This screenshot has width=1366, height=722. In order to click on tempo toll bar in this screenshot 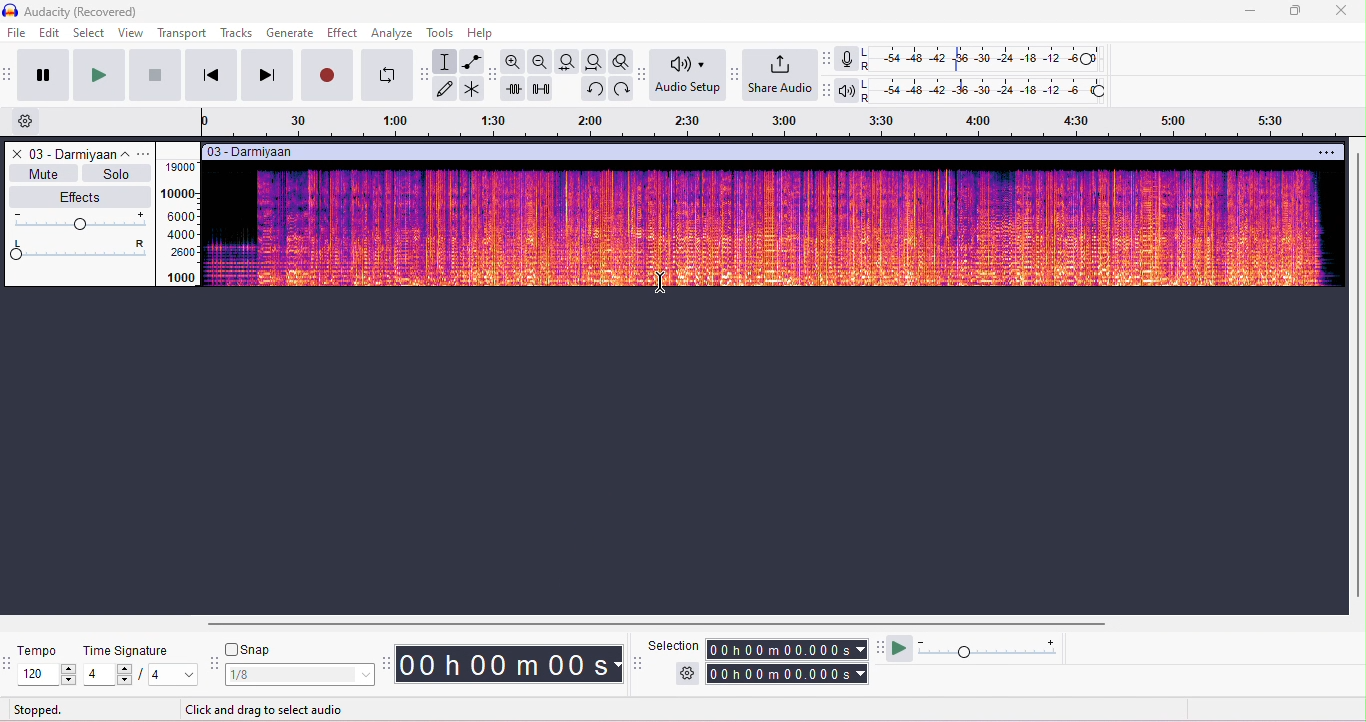, I will do `click(9, 661)`.